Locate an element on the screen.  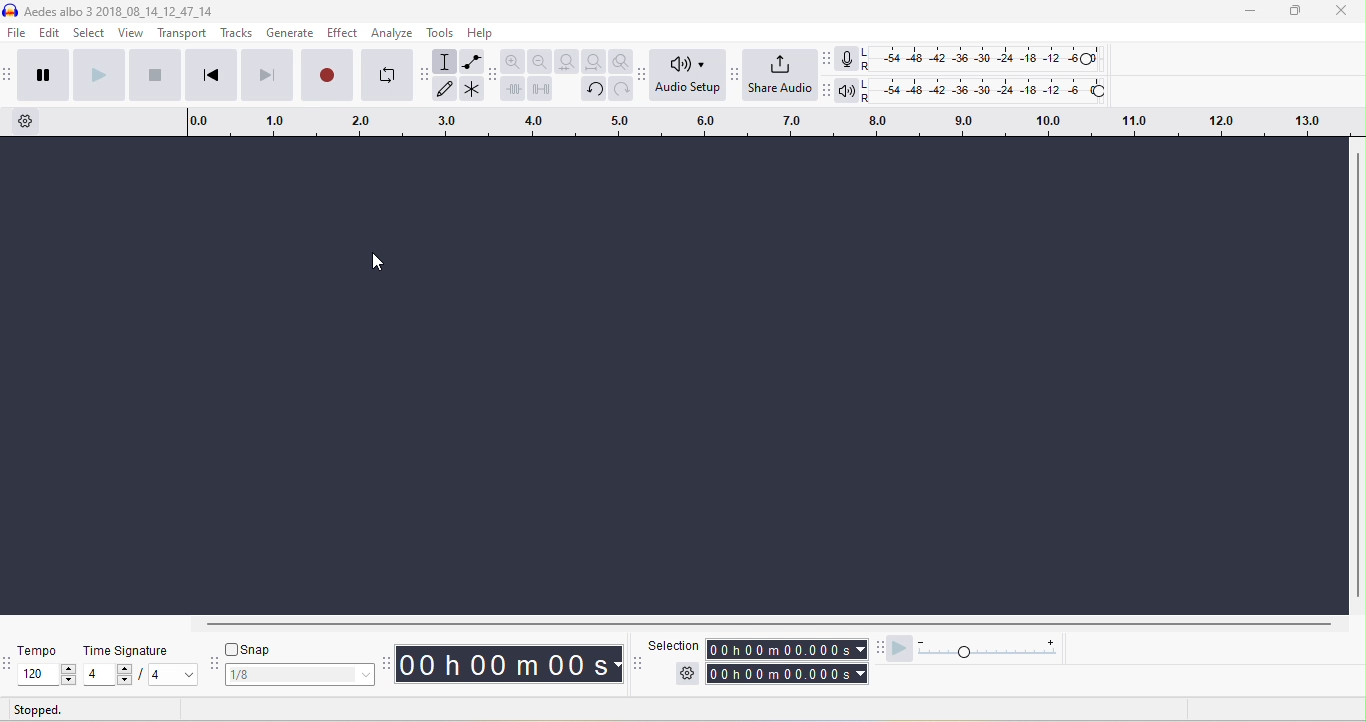
record is located at coordinates (326, 73).